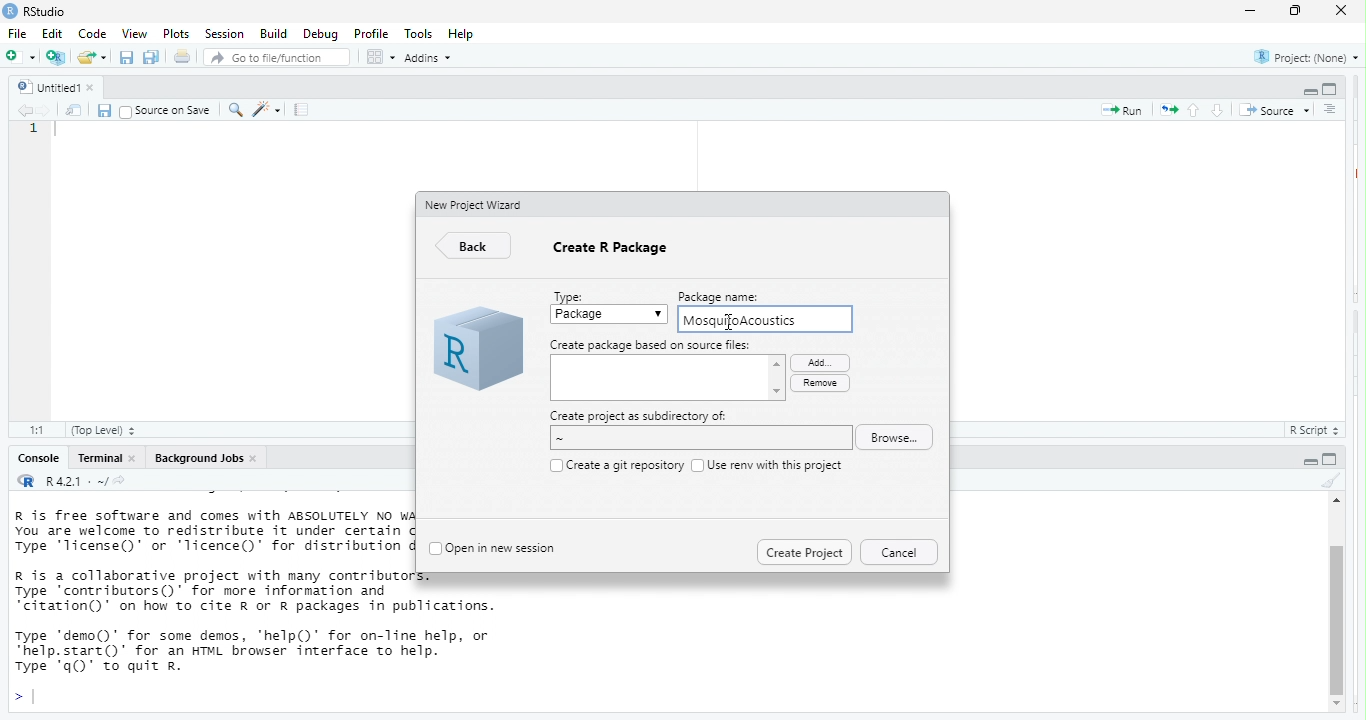 The height and width of the screenshot is (720, 1366). Describe the element at coordinates (697, 439) in the screenshot. I see `~` at that location.